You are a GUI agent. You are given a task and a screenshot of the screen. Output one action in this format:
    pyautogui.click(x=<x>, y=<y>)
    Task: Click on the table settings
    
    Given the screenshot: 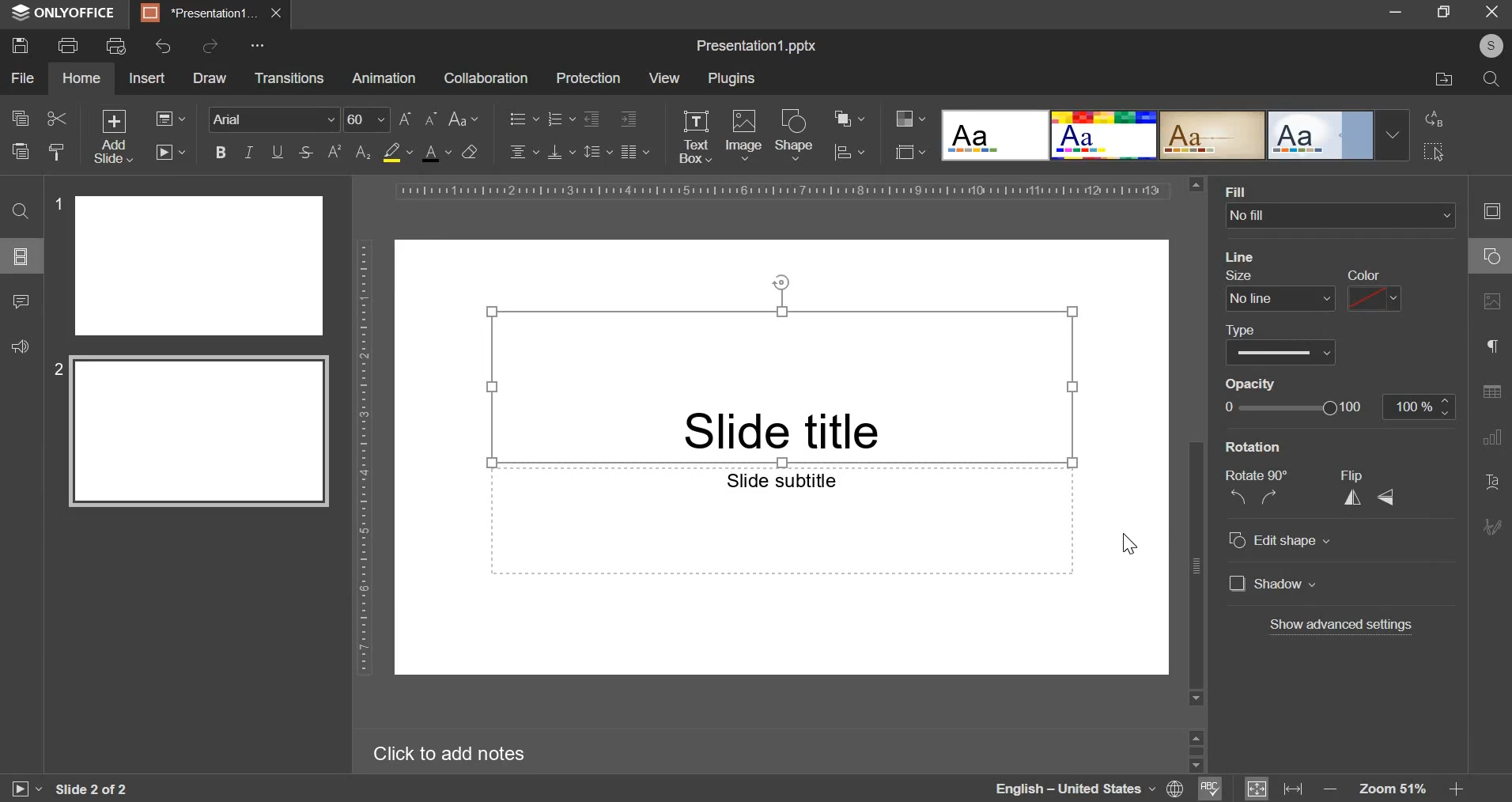 What is the action you would take?
    pyautogui.click(x=1491, y=392)
    